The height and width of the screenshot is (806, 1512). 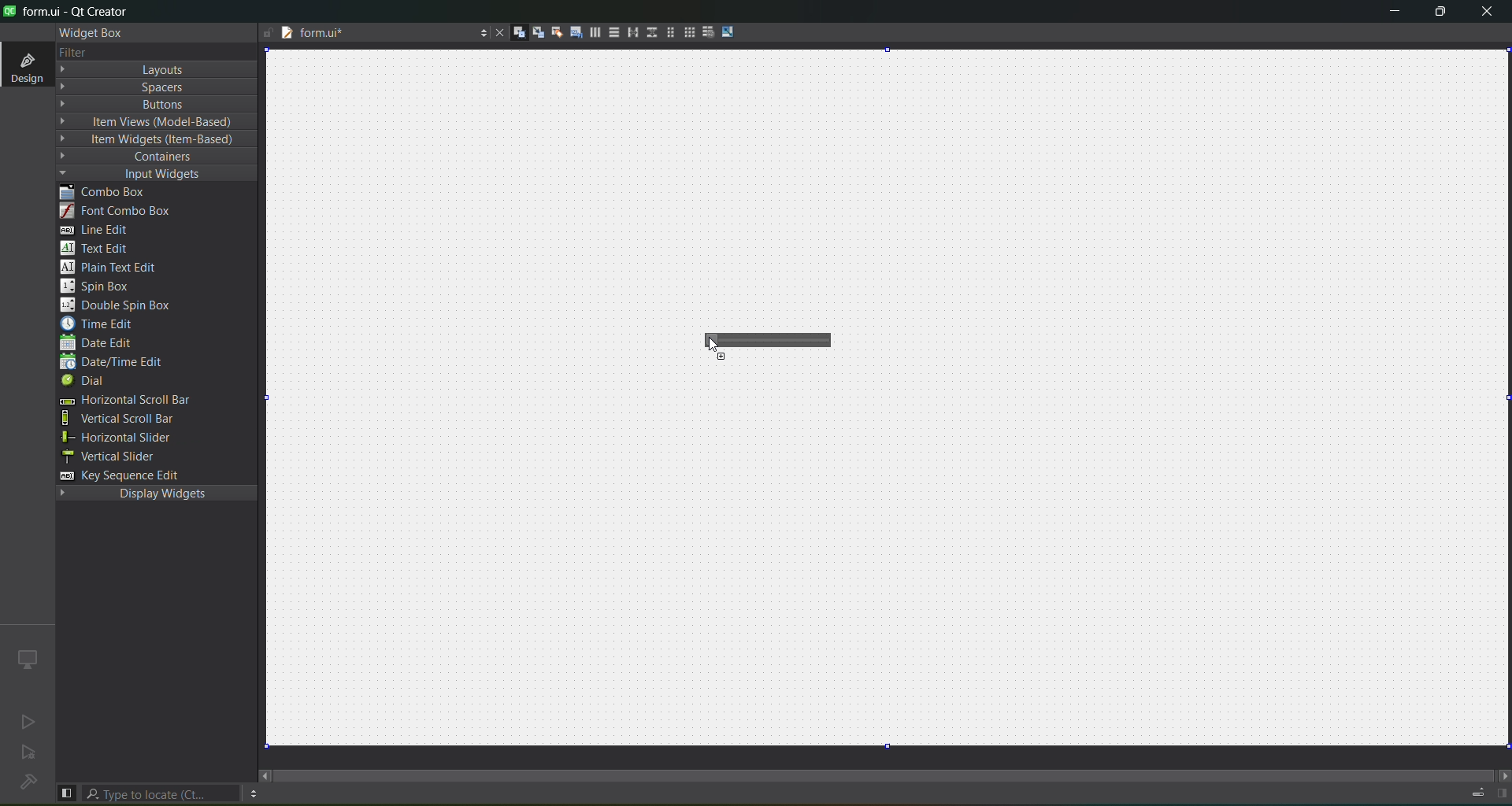 I want to click on option, so click(x=254, y=794).